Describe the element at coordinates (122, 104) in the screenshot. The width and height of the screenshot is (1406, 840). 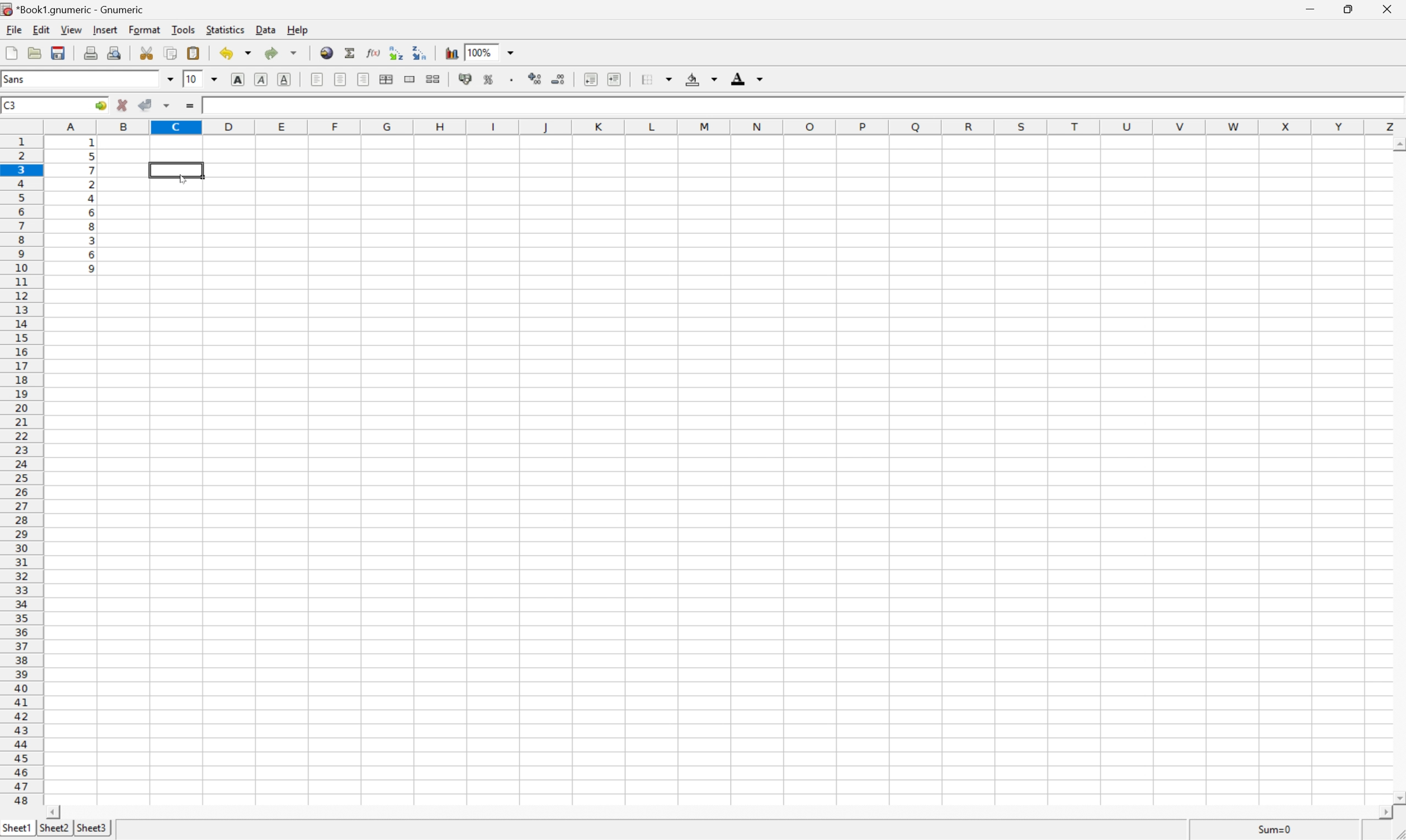
I see `cancel changes` at that location.